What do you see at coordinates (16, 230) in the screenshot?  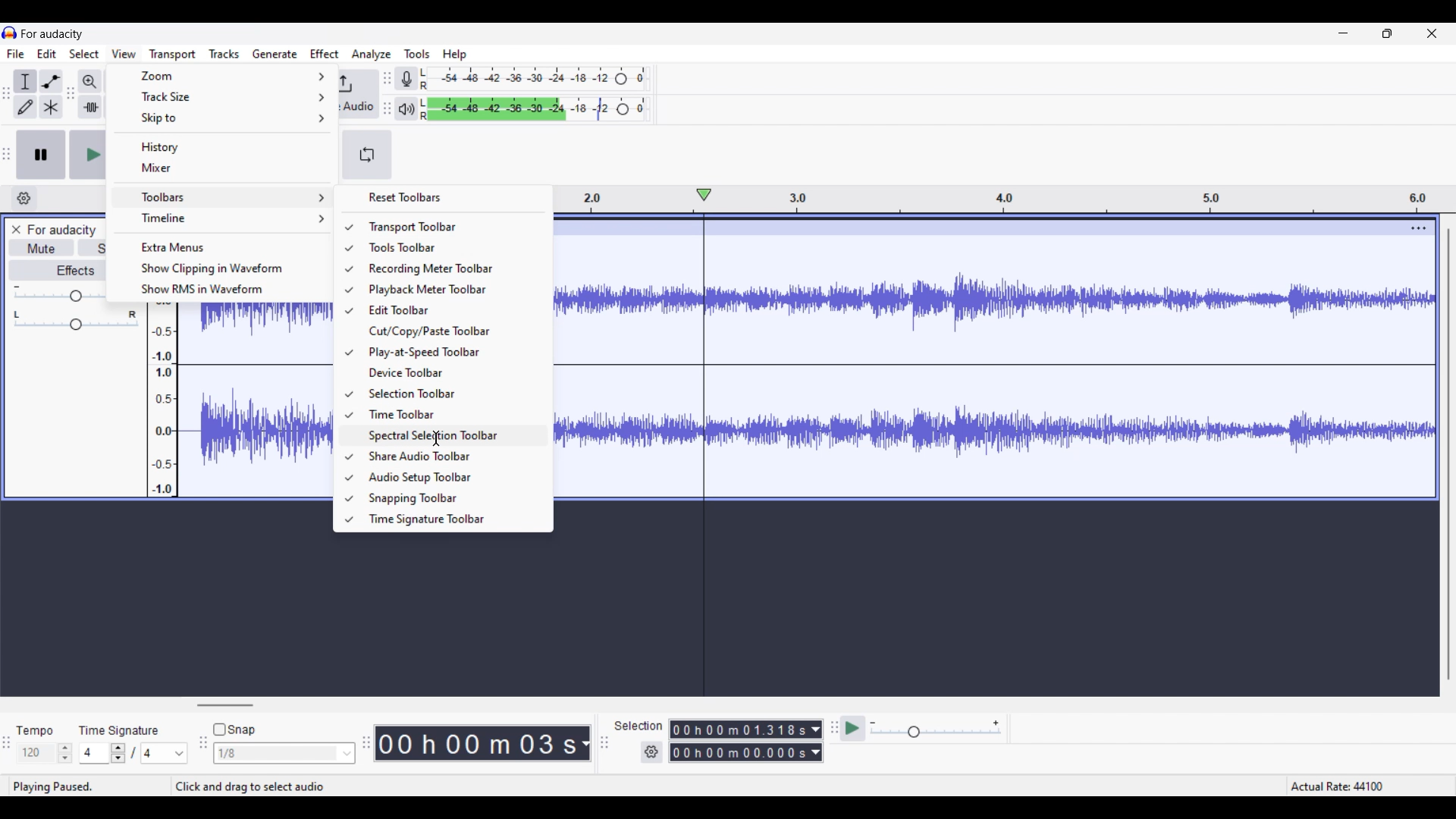 I see `Close track` at bounding box center [16, 230].